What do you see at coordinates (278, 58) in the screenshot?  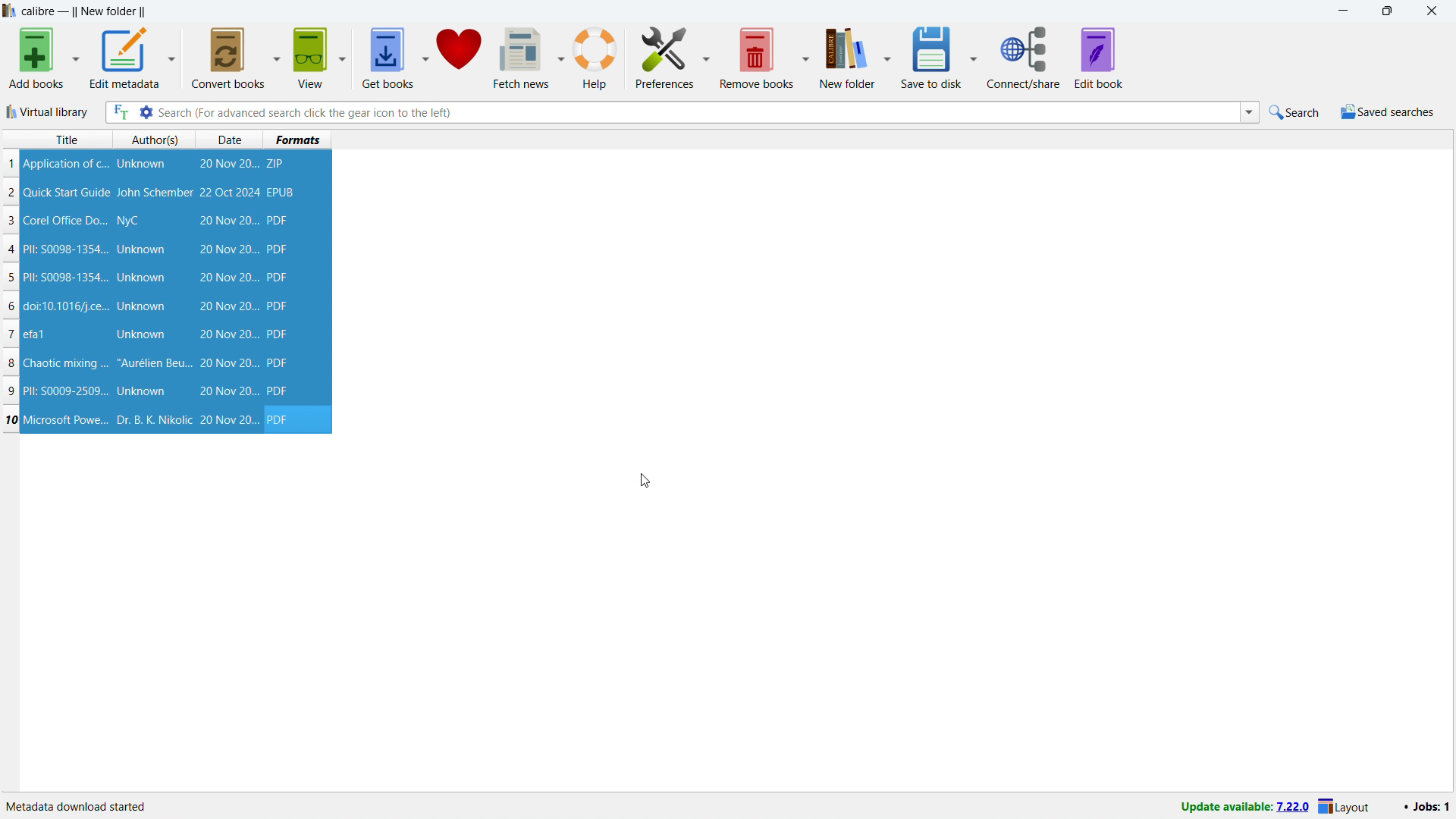 I see `convert books options` at bounding box center [278, 58].